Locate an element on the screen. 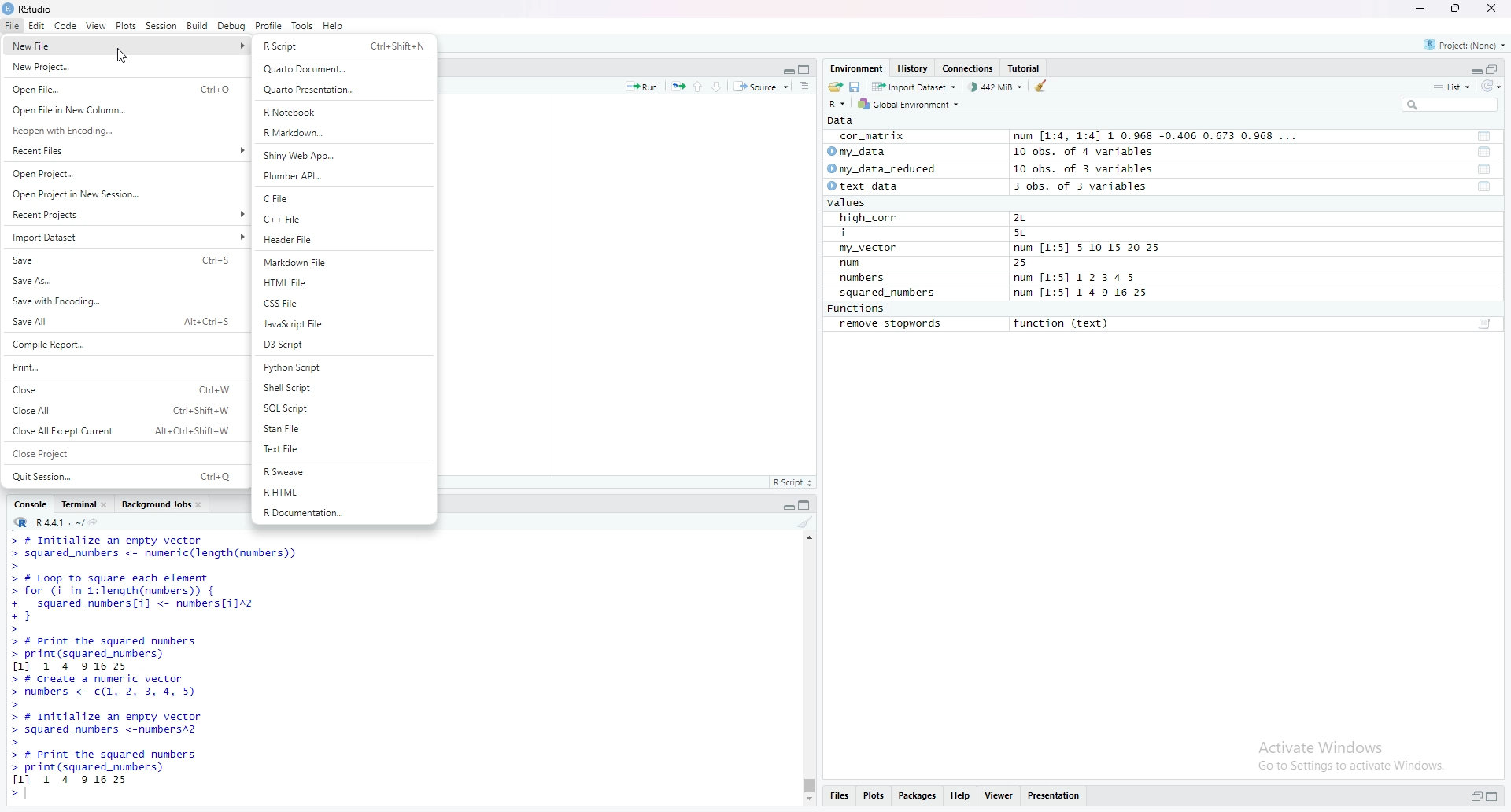 The width and height of the screenshot is (1511, 812). Activate Windows
Go to Settings to activate Windows. is located at coordinates (1350, 754).